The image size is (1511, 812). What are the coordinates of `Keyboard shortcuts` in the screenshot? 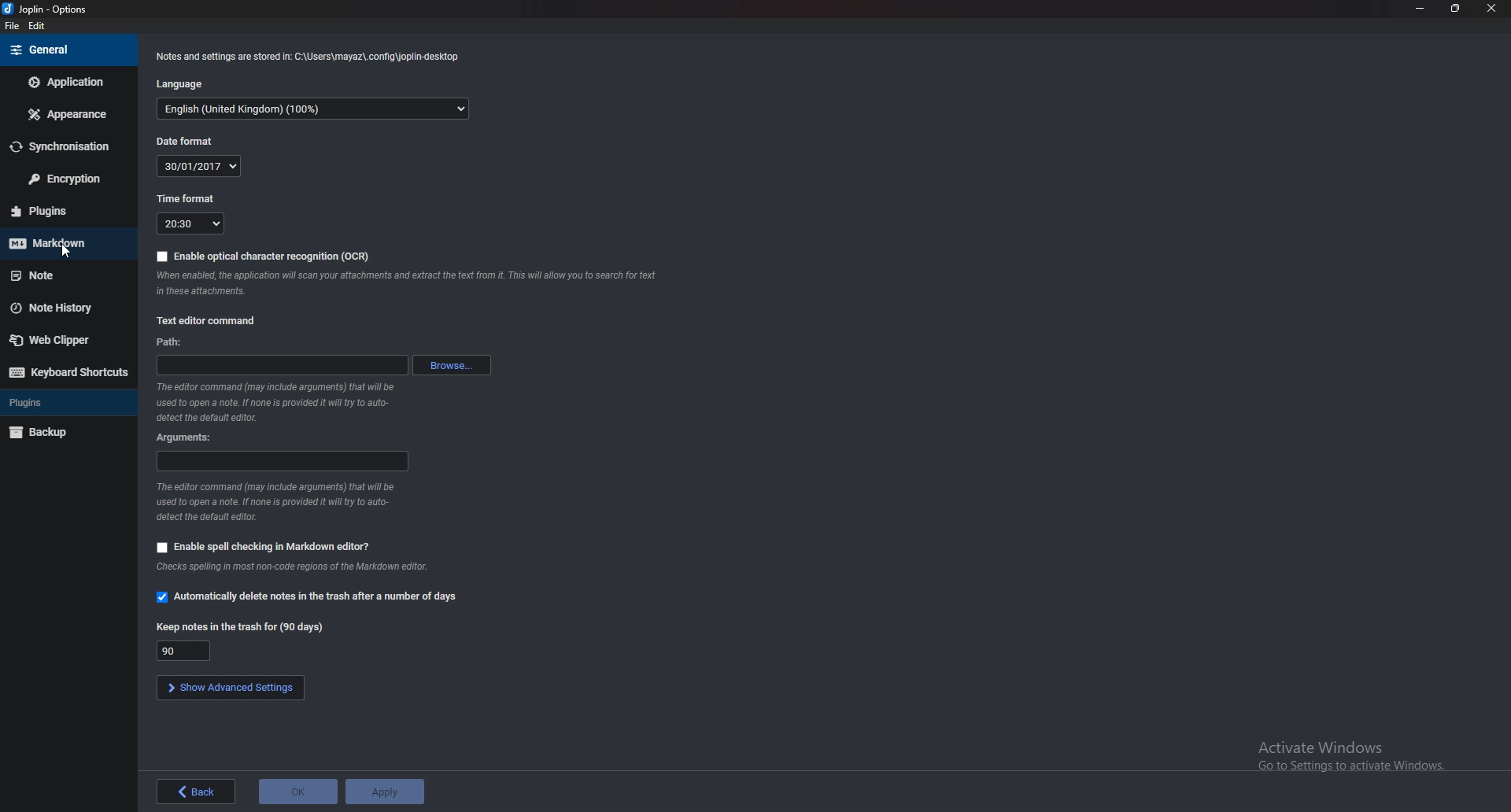 It's located at (69, 372).